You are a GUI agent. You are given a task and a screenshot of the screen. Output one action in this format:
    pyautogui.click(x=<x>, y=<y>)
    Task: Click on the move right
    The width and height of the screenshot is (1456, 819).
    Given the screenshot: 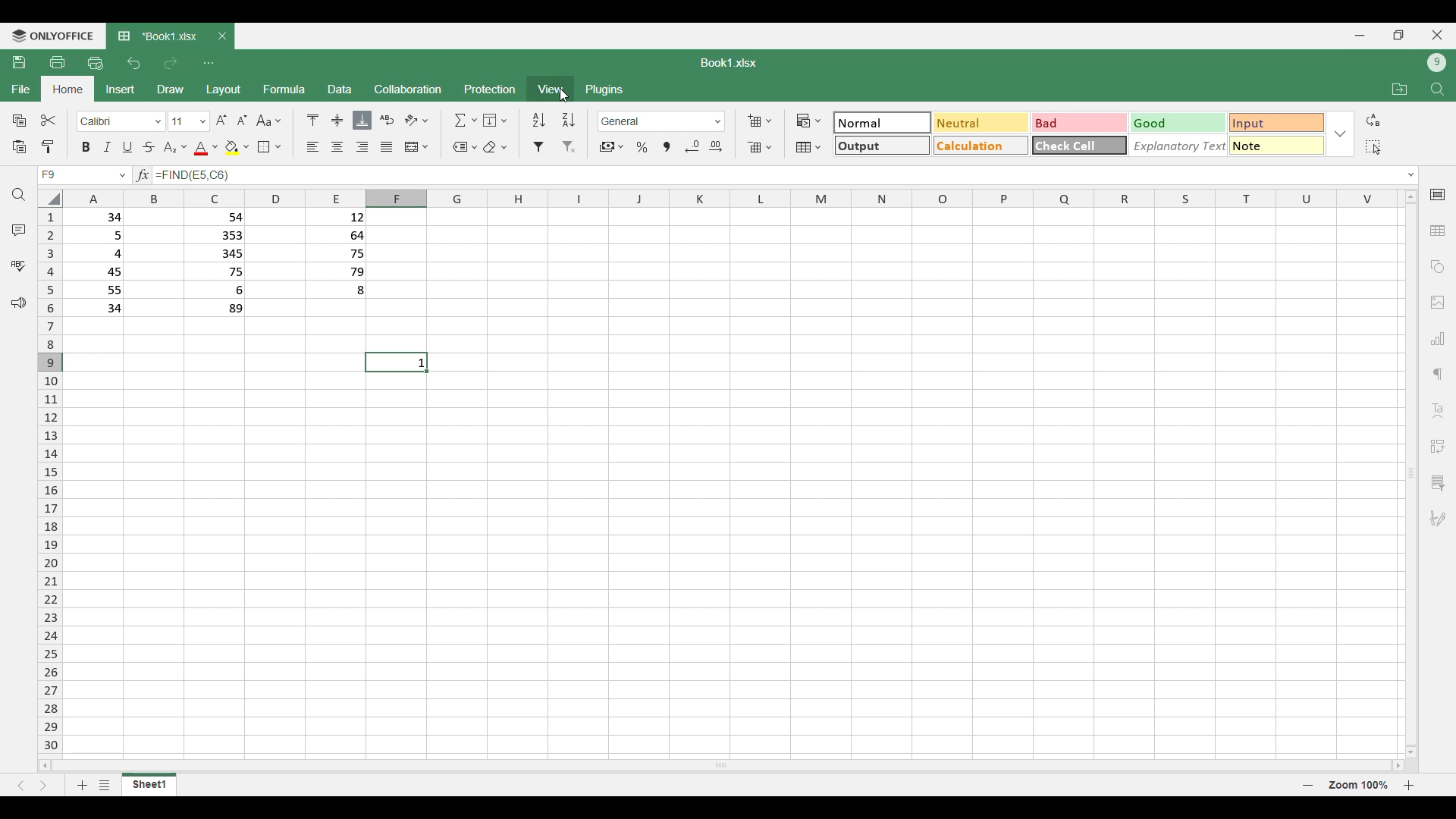 What is the action you would take?
    pyautogui.click(x=1394, y=765)
    